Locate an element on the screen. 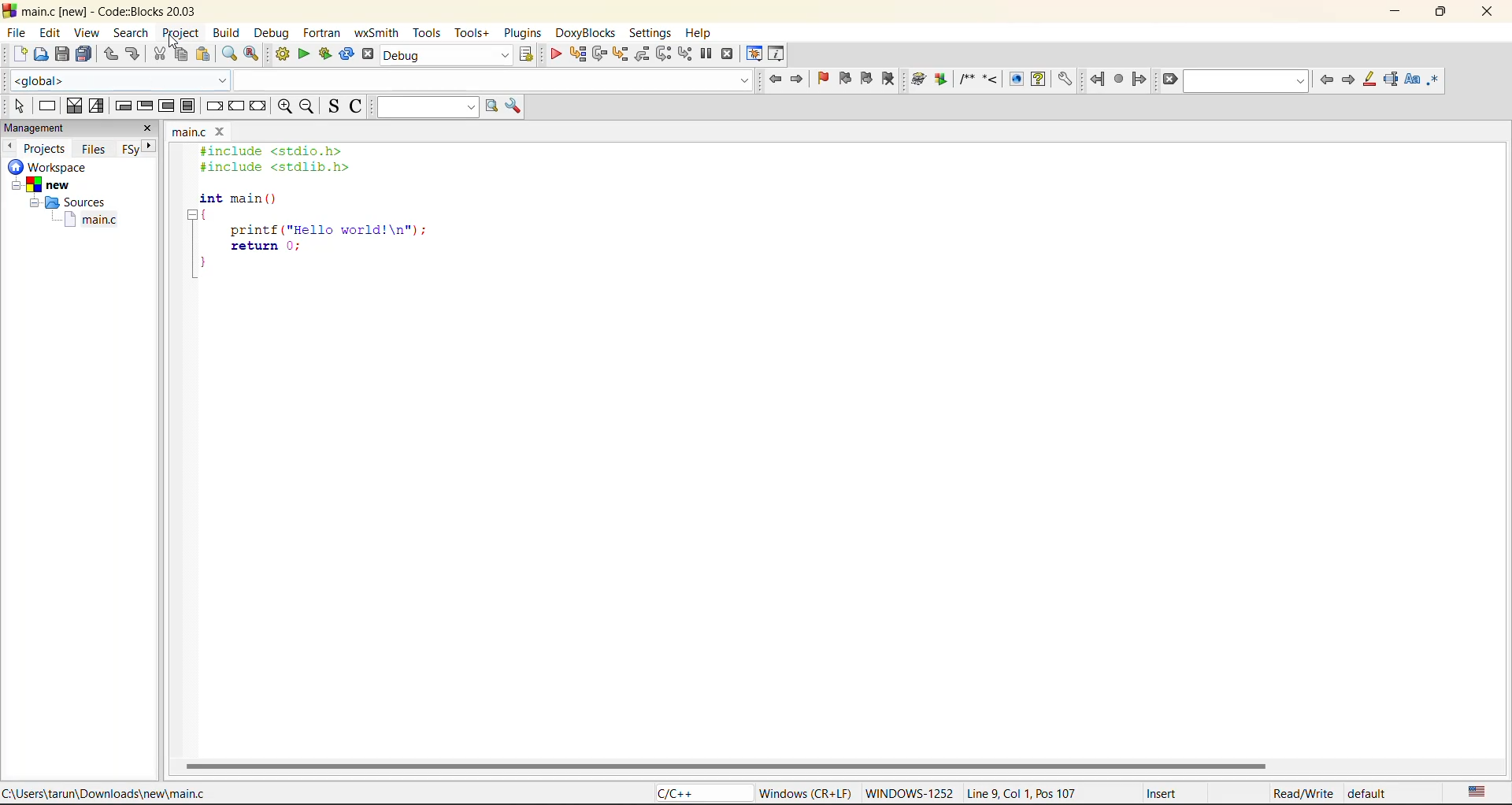  cut is located at coordinates (158, 54).